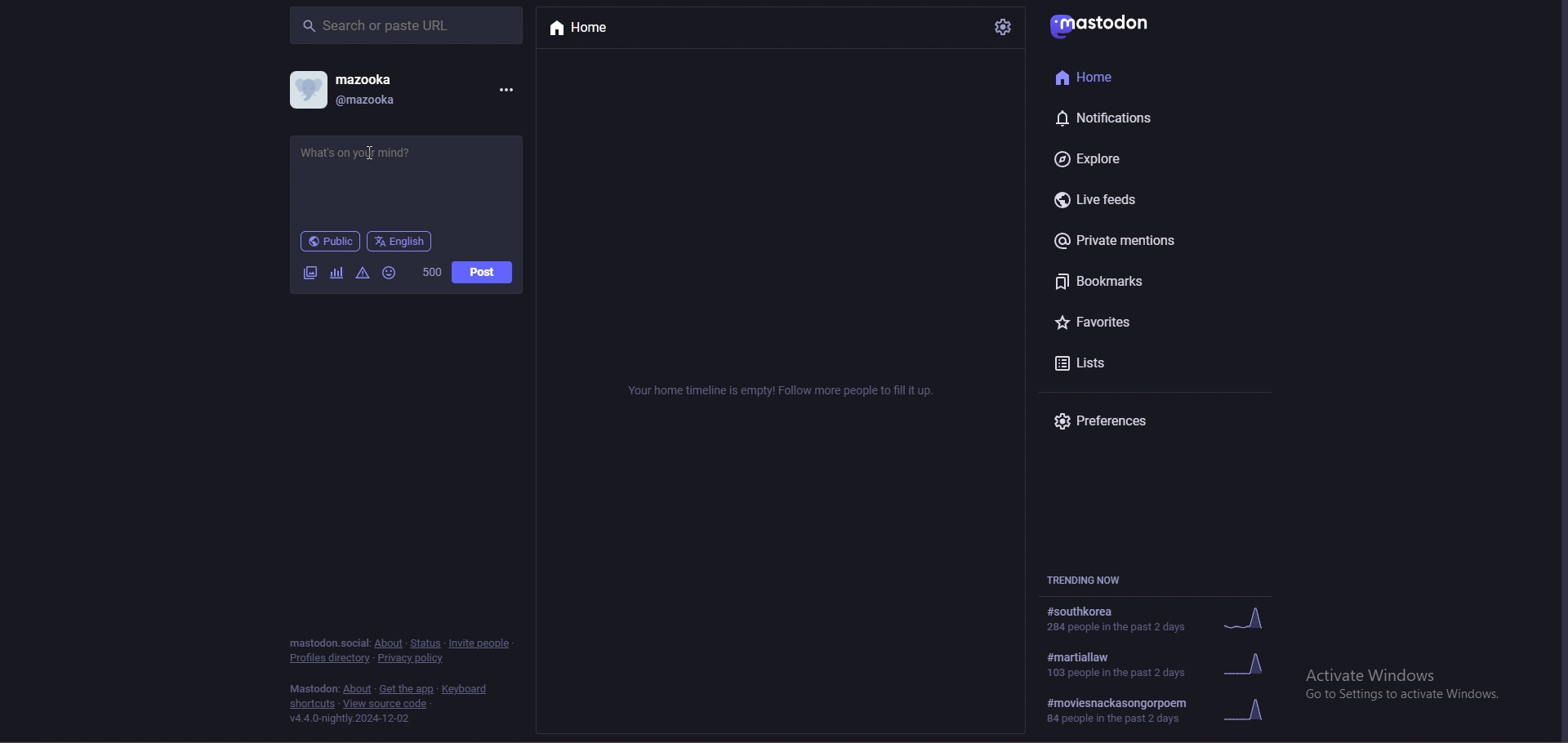  I want to click on trending now, so click(1094, 581).